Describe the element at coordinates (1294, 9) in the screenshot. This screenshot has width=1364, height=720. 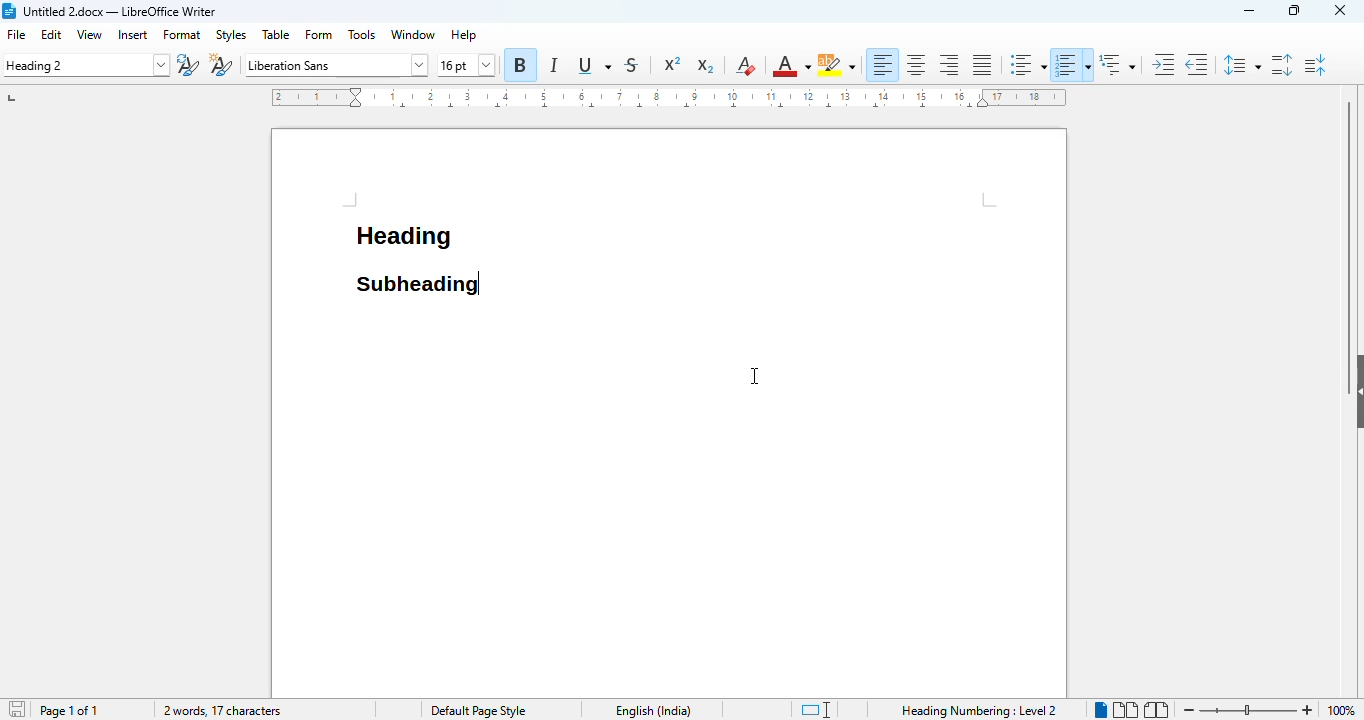
I see `maximize` at that location.